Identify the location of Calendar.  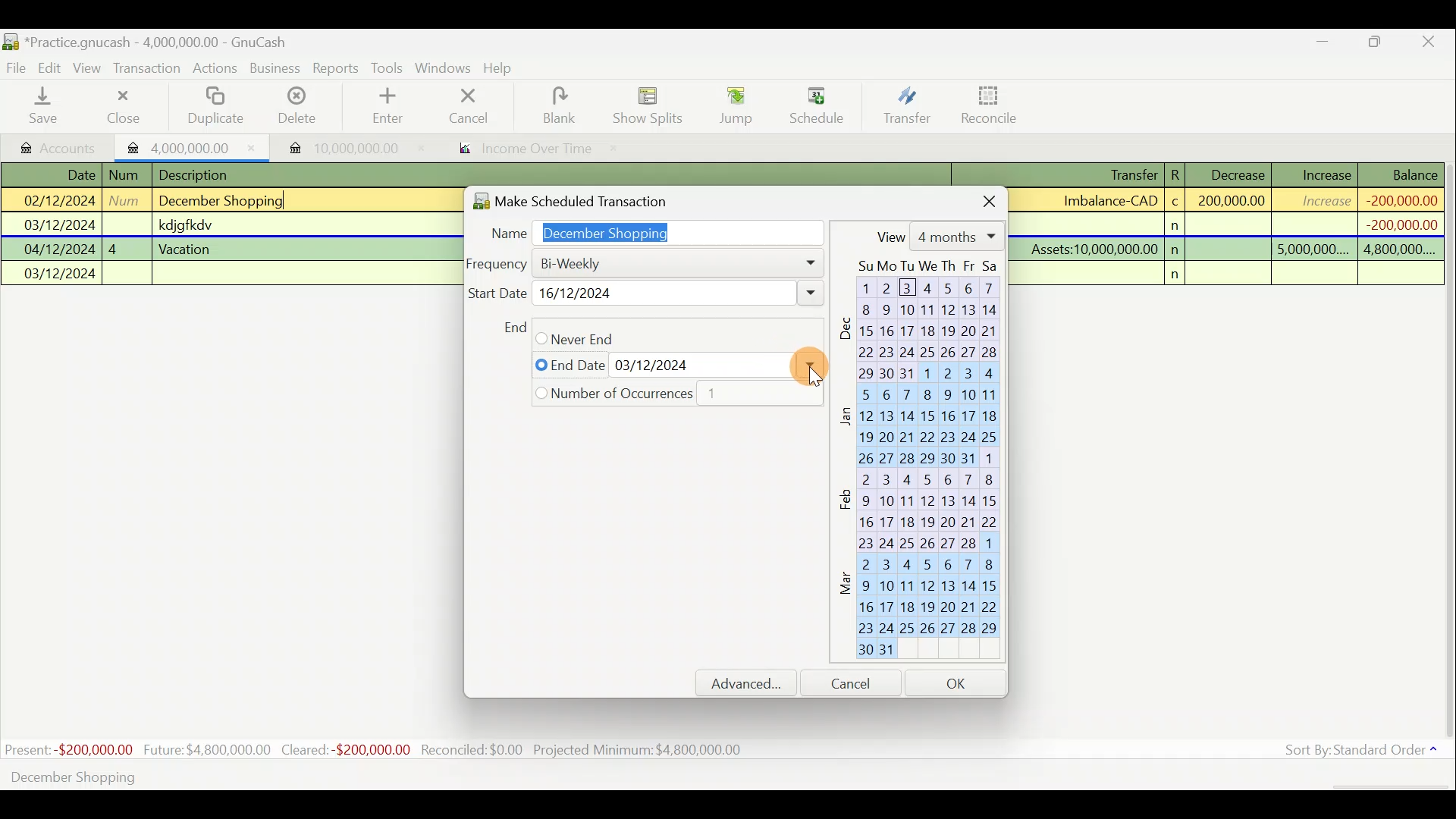
(925, 463).